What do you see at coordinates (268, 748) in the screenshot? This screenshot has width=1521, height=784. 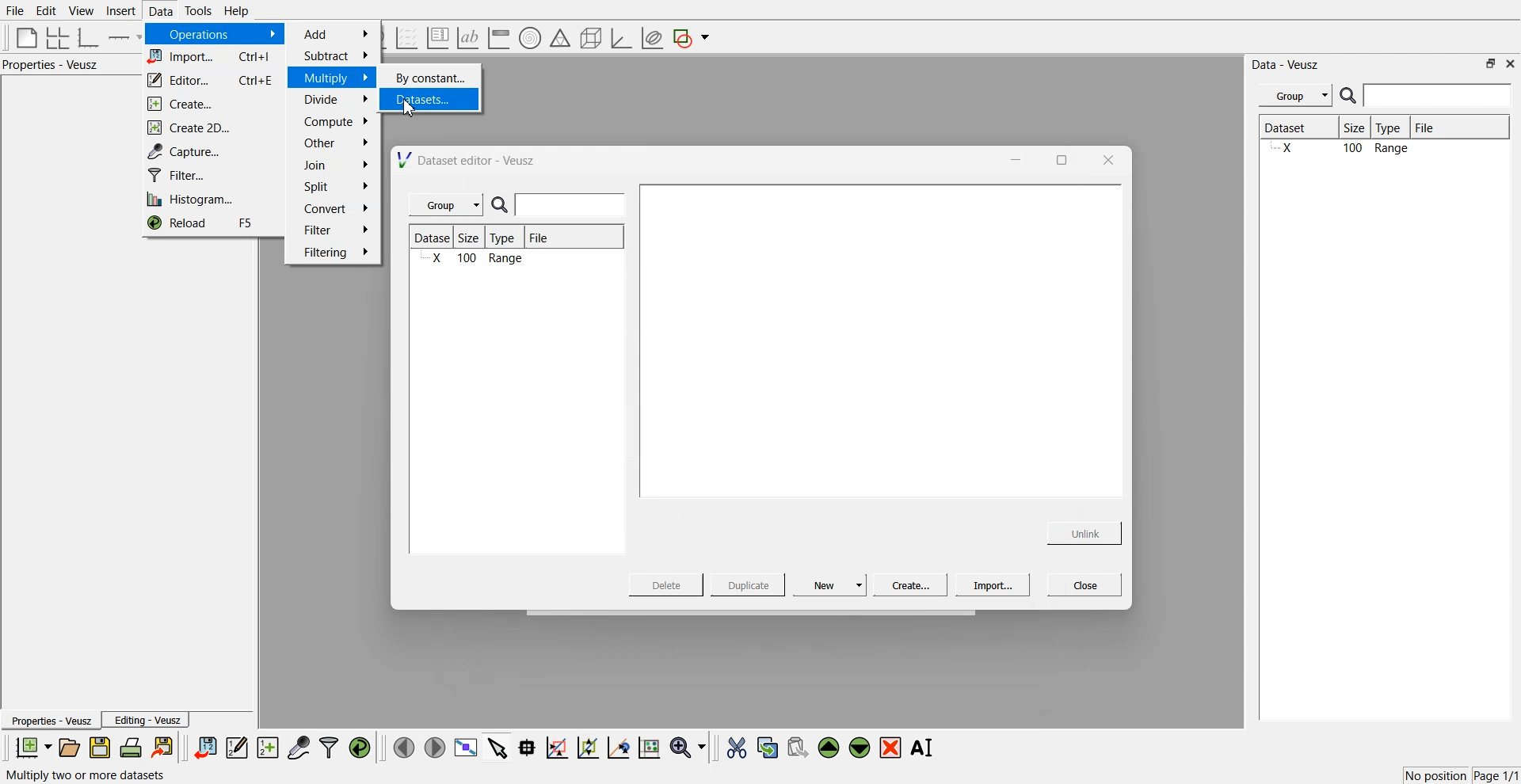 I see `create new datasets` at bounding box center [268, 748].